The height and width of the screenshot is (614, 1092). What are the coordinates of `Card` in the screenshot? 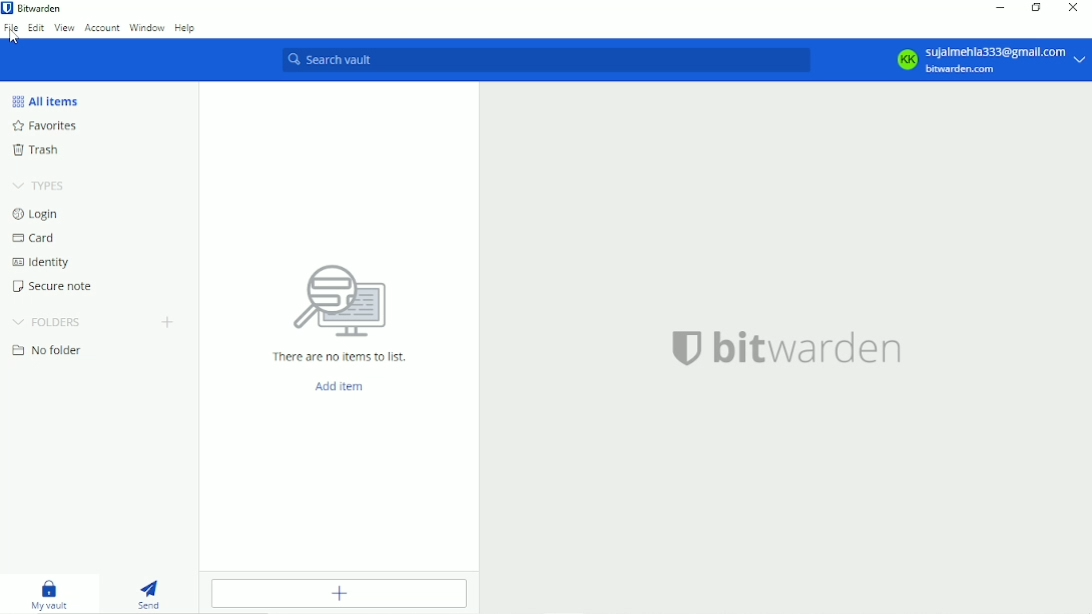 It's located at (35, 238).